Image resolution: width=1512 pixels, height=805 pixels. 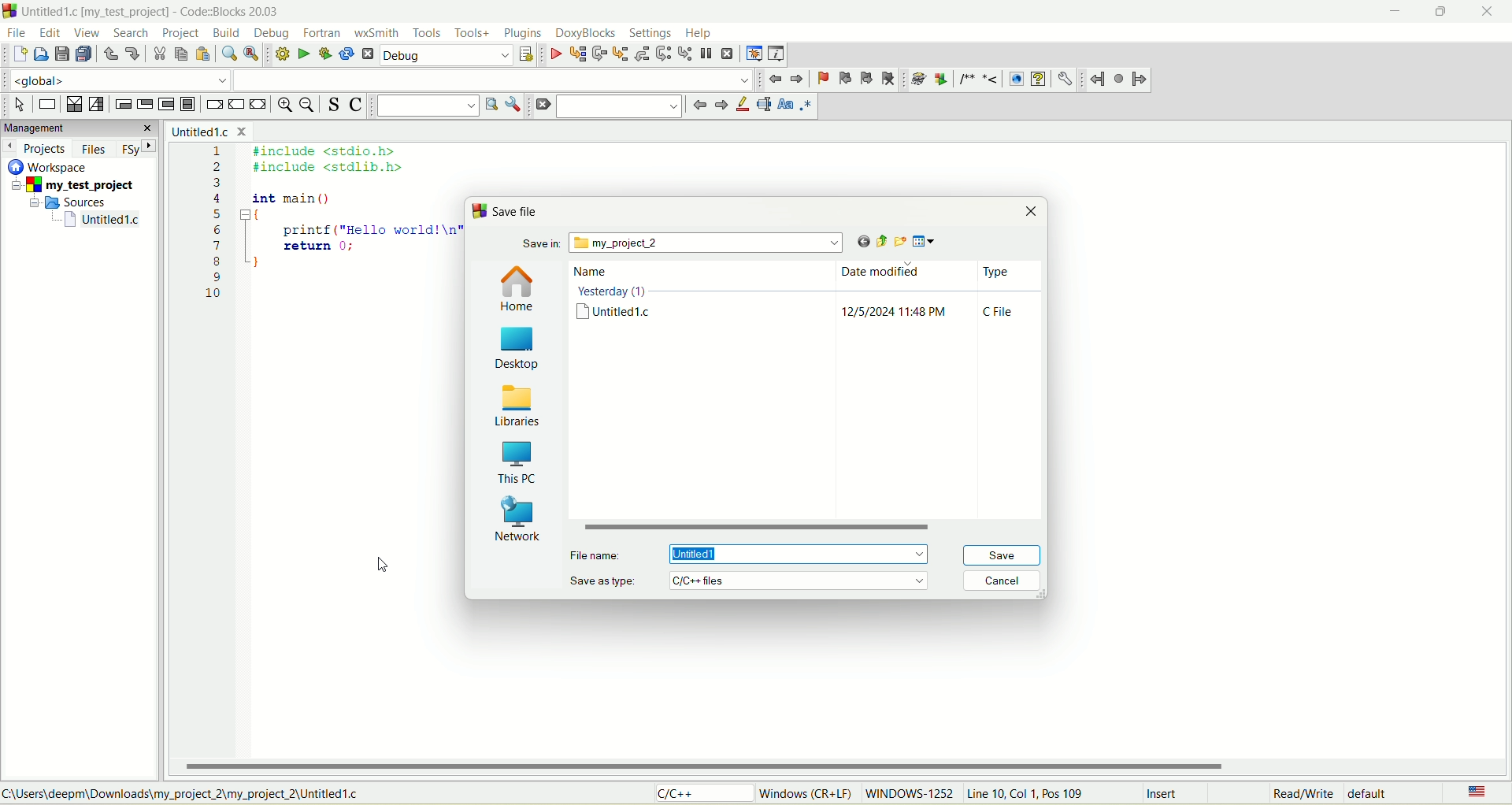 What do you see at coordinates (776, 80) in the screenshot?
I see `jump back` at bounding box center [776, 80].